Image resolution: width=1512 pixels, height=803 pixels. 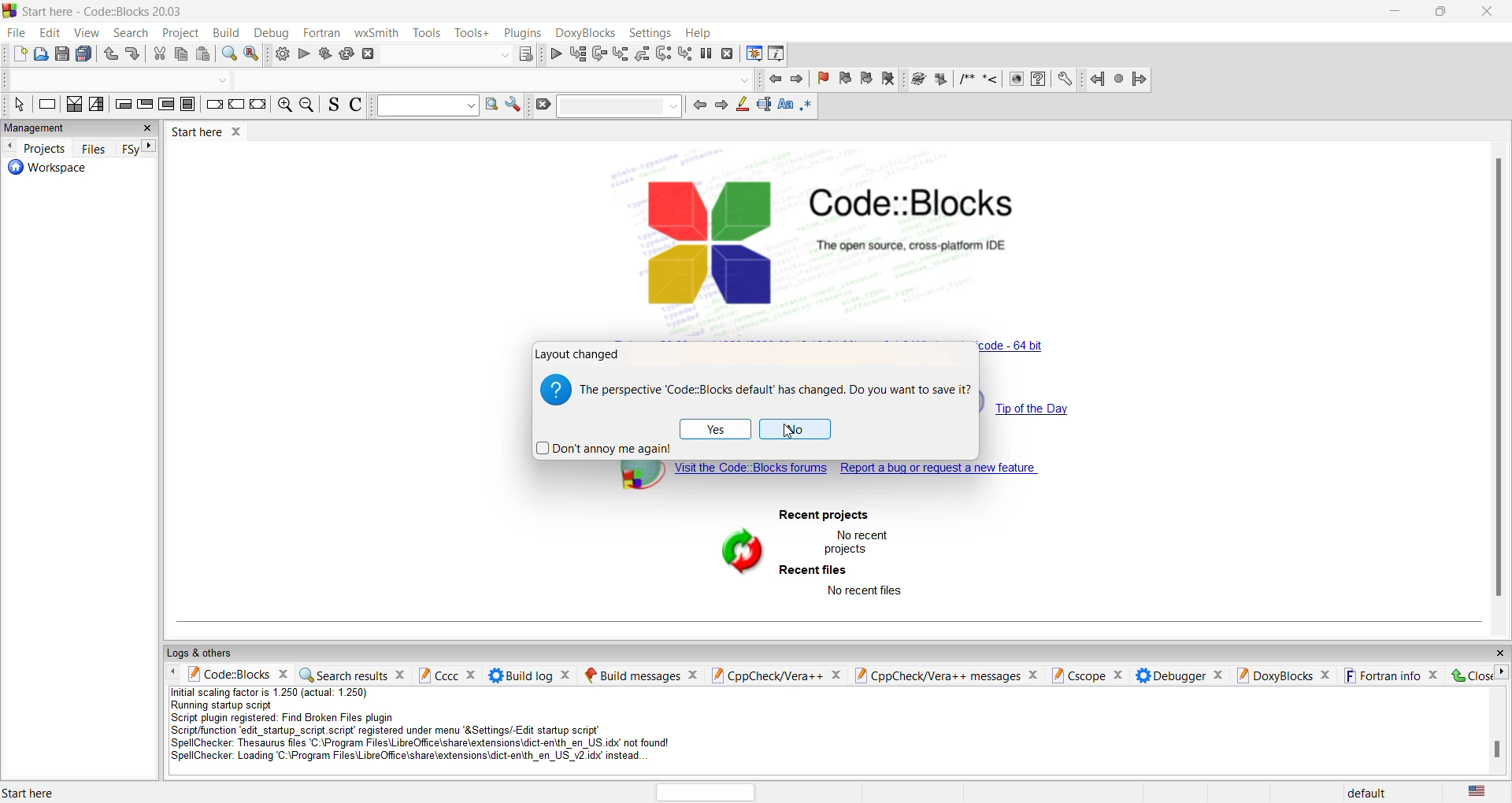 What do you see at coordinates (58, 54) in the screenshot?
I see `save` at bounding box center [58, 54].